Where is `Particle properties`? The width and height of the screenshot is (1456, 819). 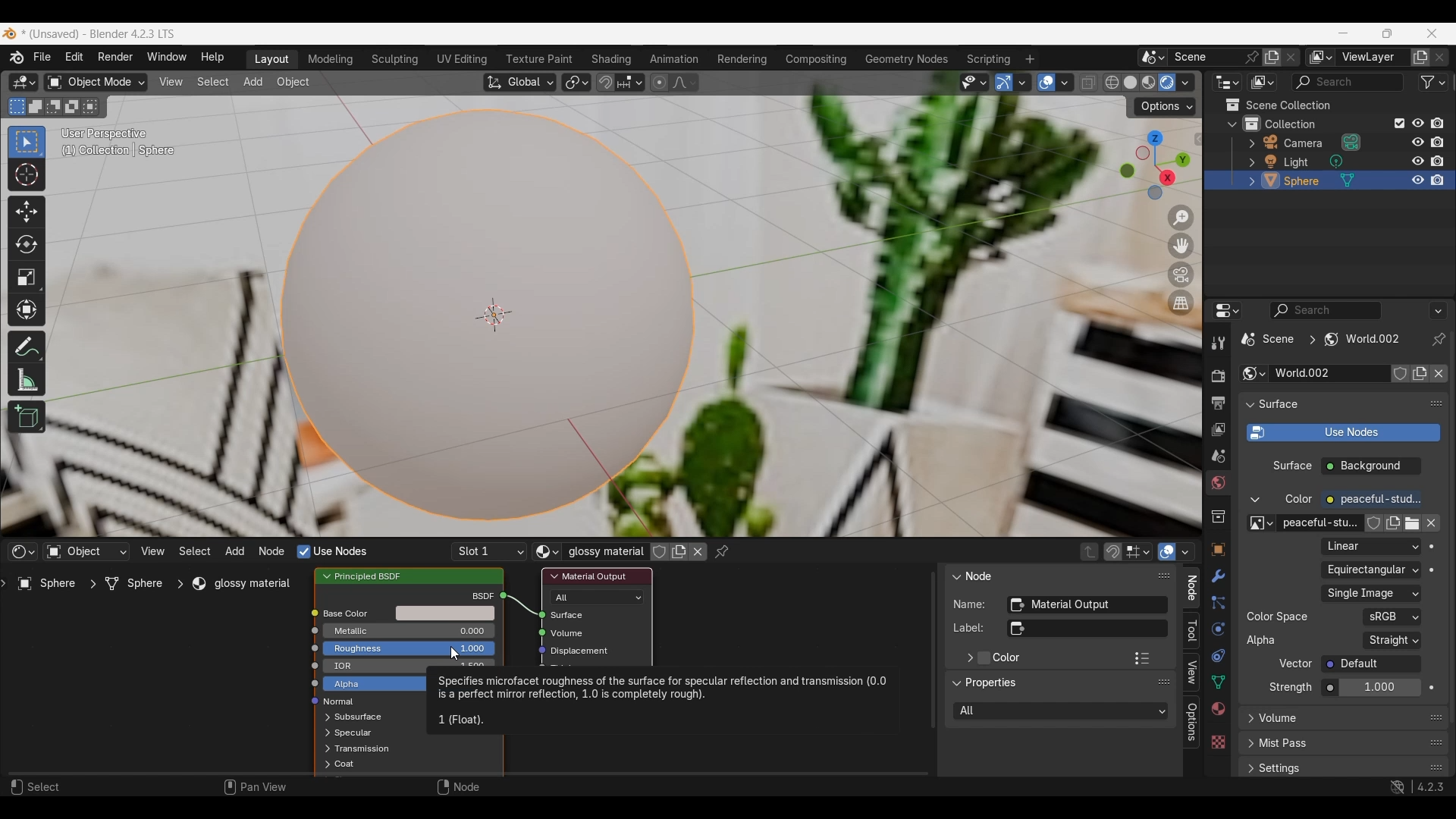
Particle properties is located at coordinates (1217, 603).